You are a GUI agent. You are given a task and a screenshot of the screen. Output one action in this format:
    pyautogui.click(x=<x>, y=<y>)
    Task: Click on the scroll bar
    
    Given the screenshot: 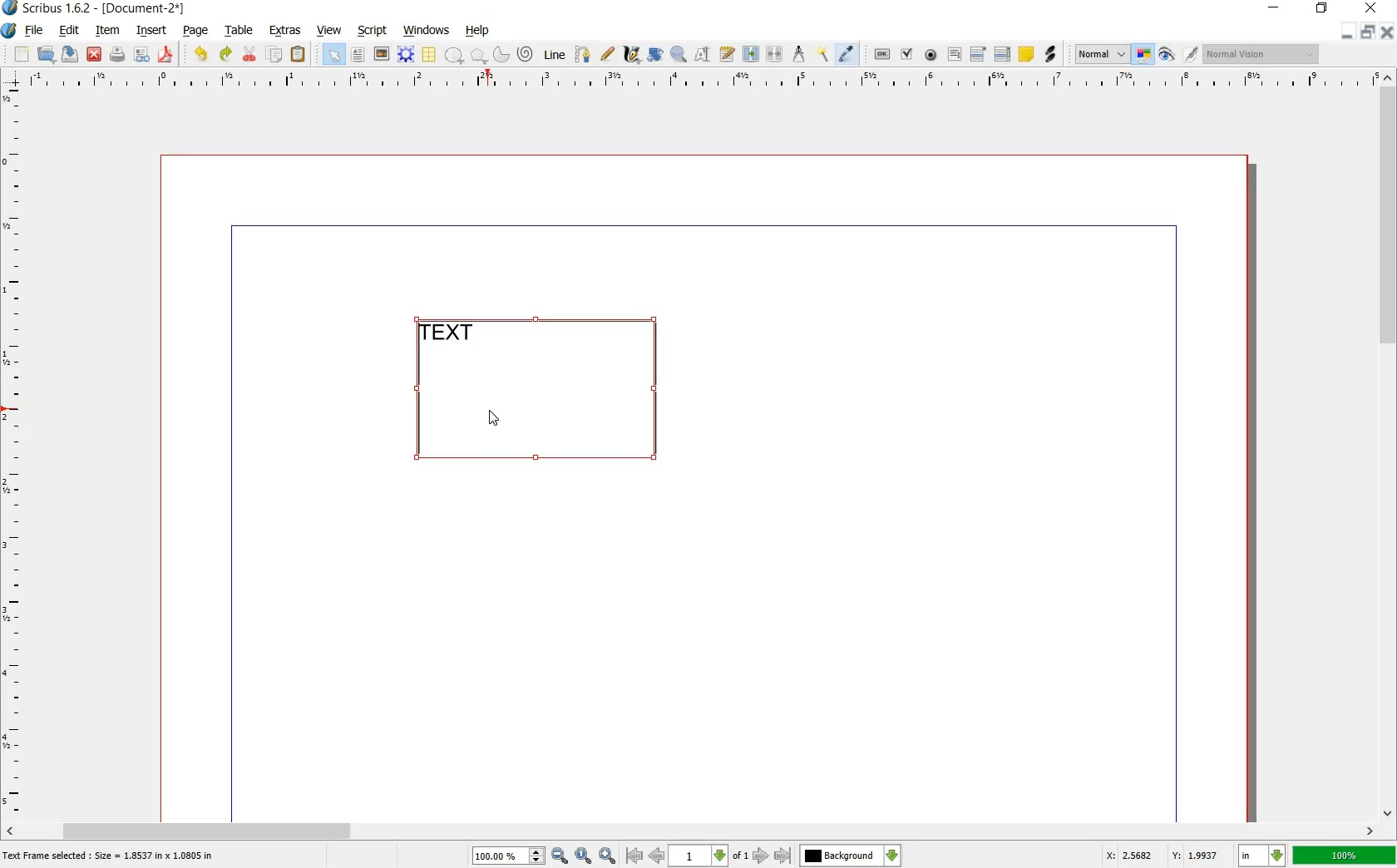 What is the action you would take?
    pyautogui.click(x=692, y=830)
    